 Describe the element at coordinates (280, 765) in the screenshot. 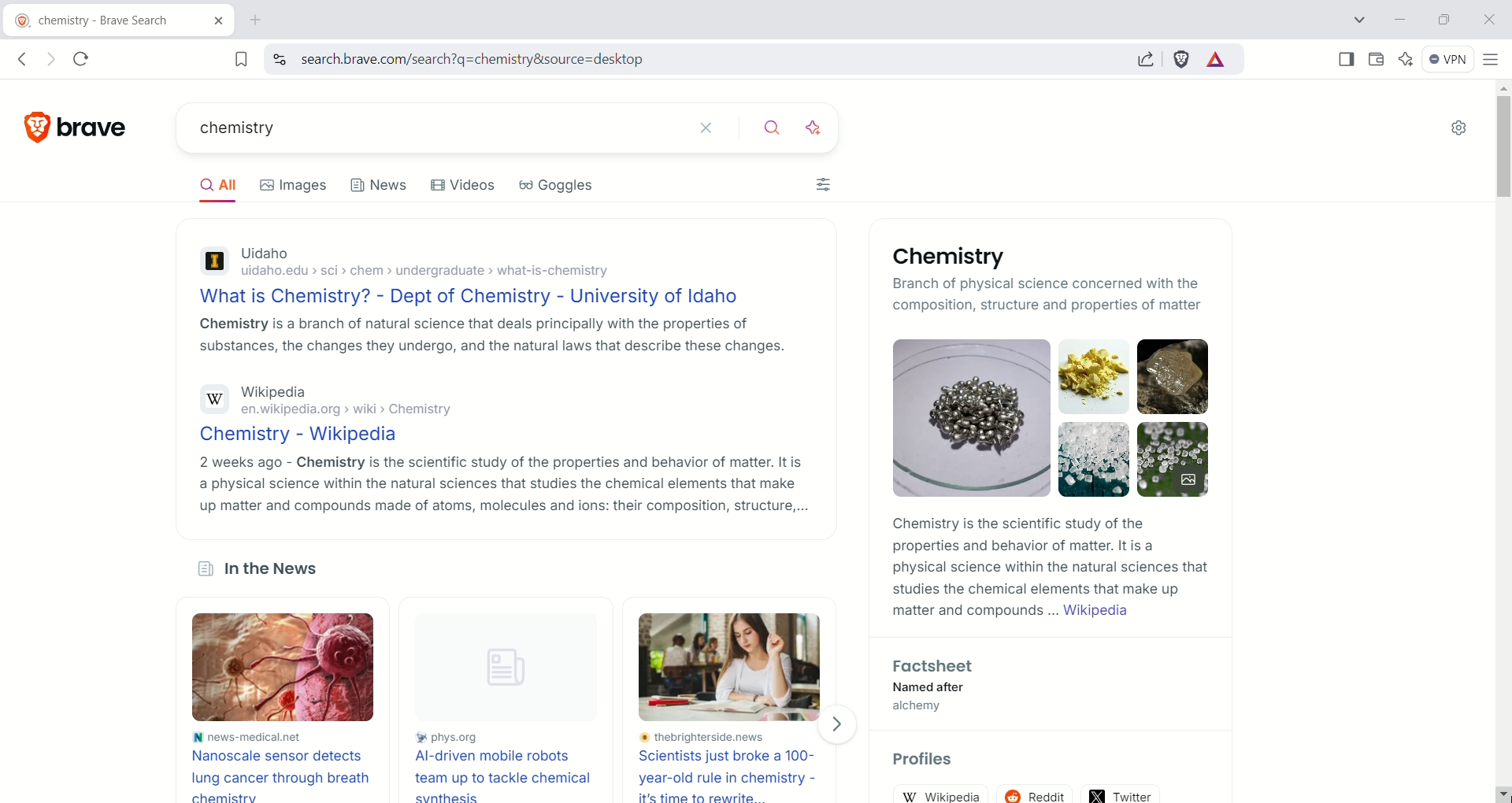

I see `News-medical.net Nanoscale sensor detects lung cancer through breath chemistry` at that location.